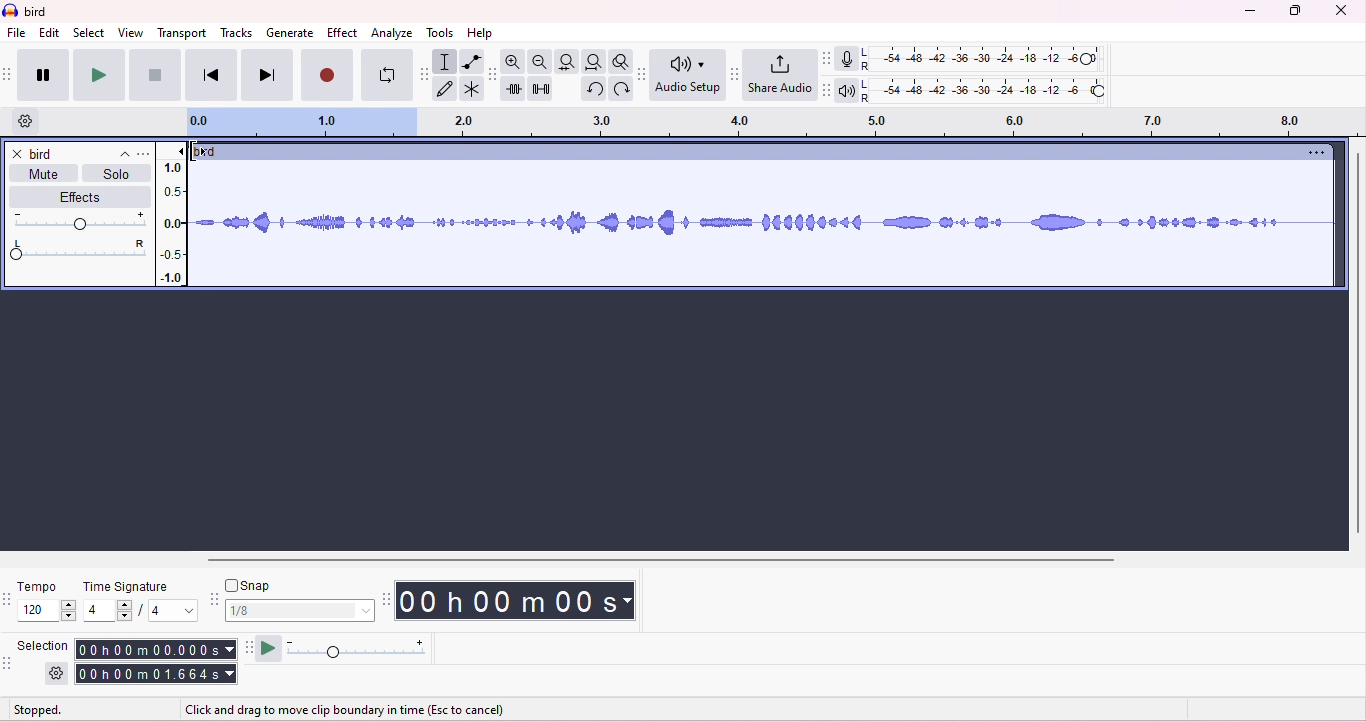  What do you see at coordinates (125, 587) in the screenshot?
I see `time signature` at bounding box center [125, 587].